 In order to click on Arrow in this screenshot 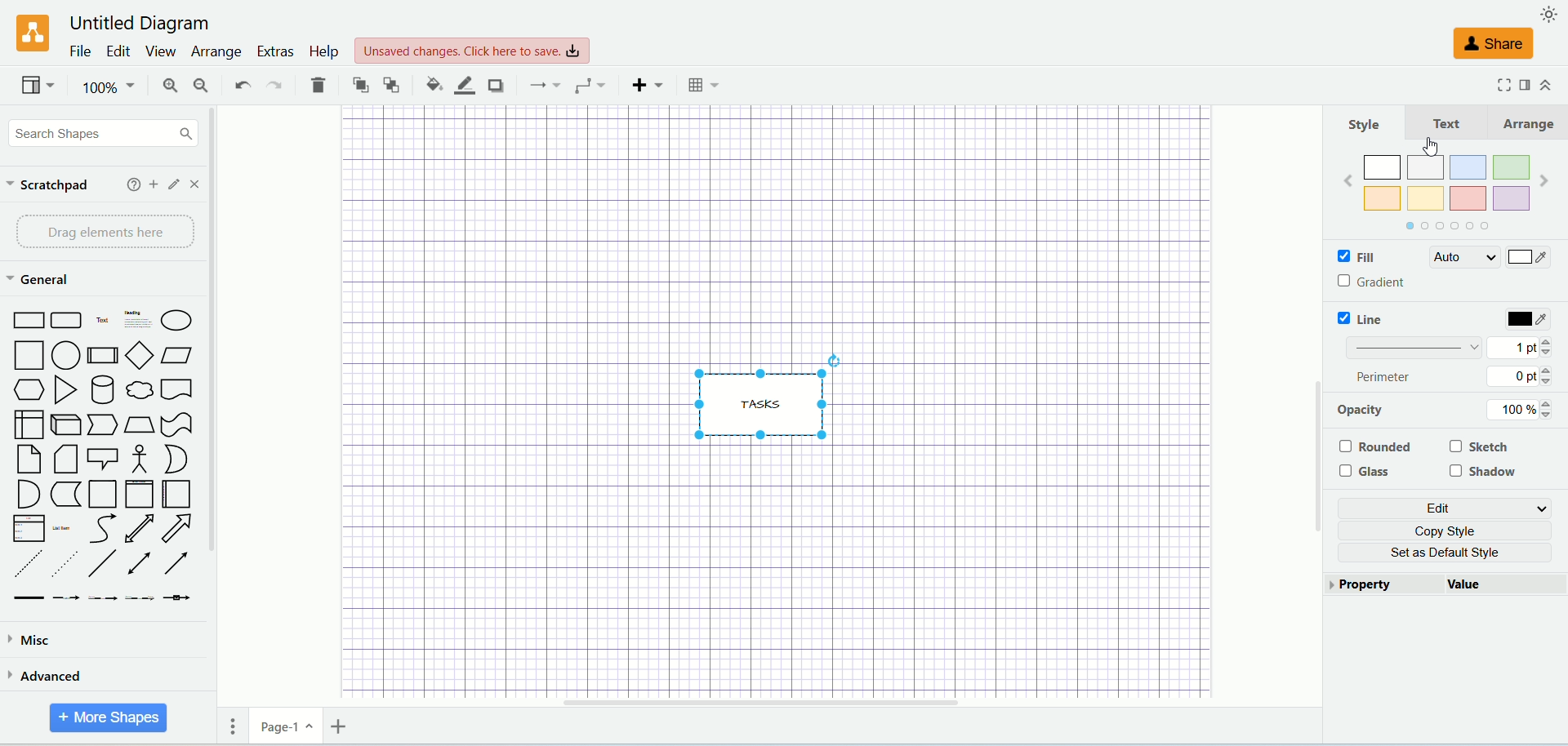, I will do `click(177, 528)`.